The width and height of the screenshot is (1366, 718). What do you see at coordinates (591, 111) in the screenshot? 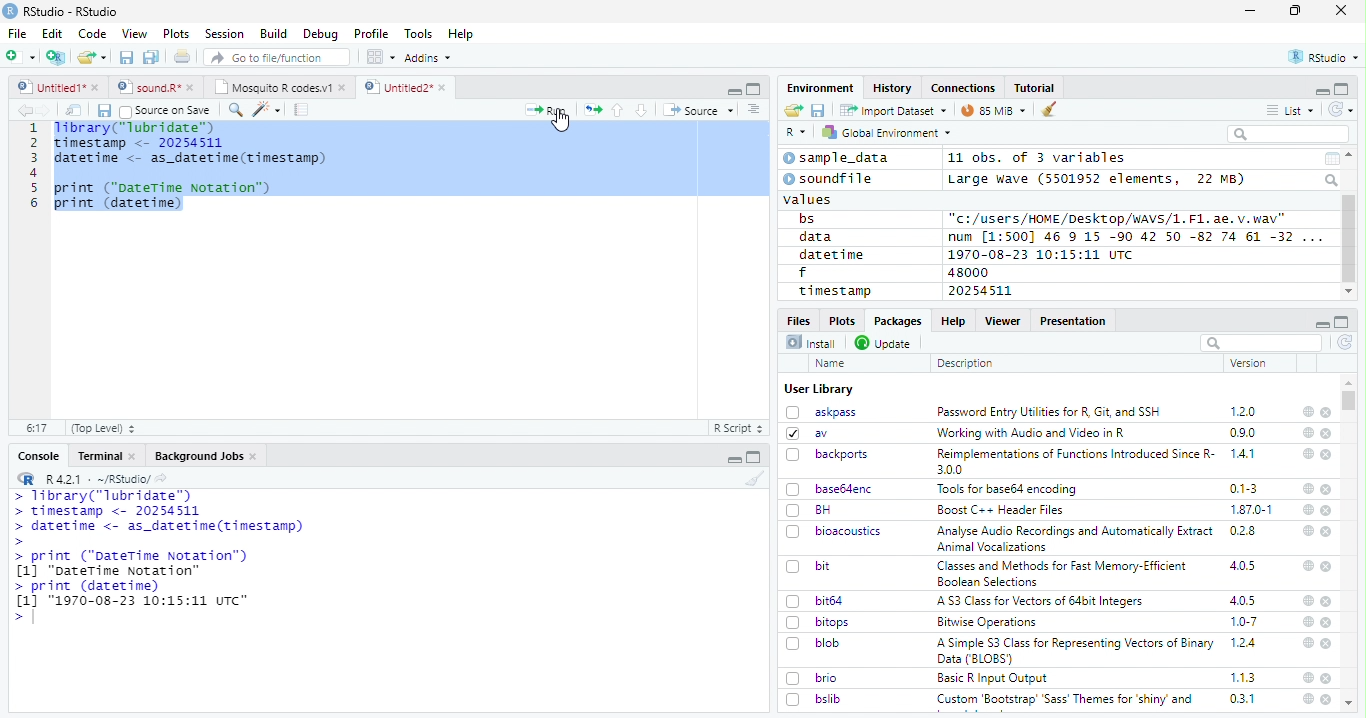
I see `Re-run the previous code region` at bounding box center [591, 111].